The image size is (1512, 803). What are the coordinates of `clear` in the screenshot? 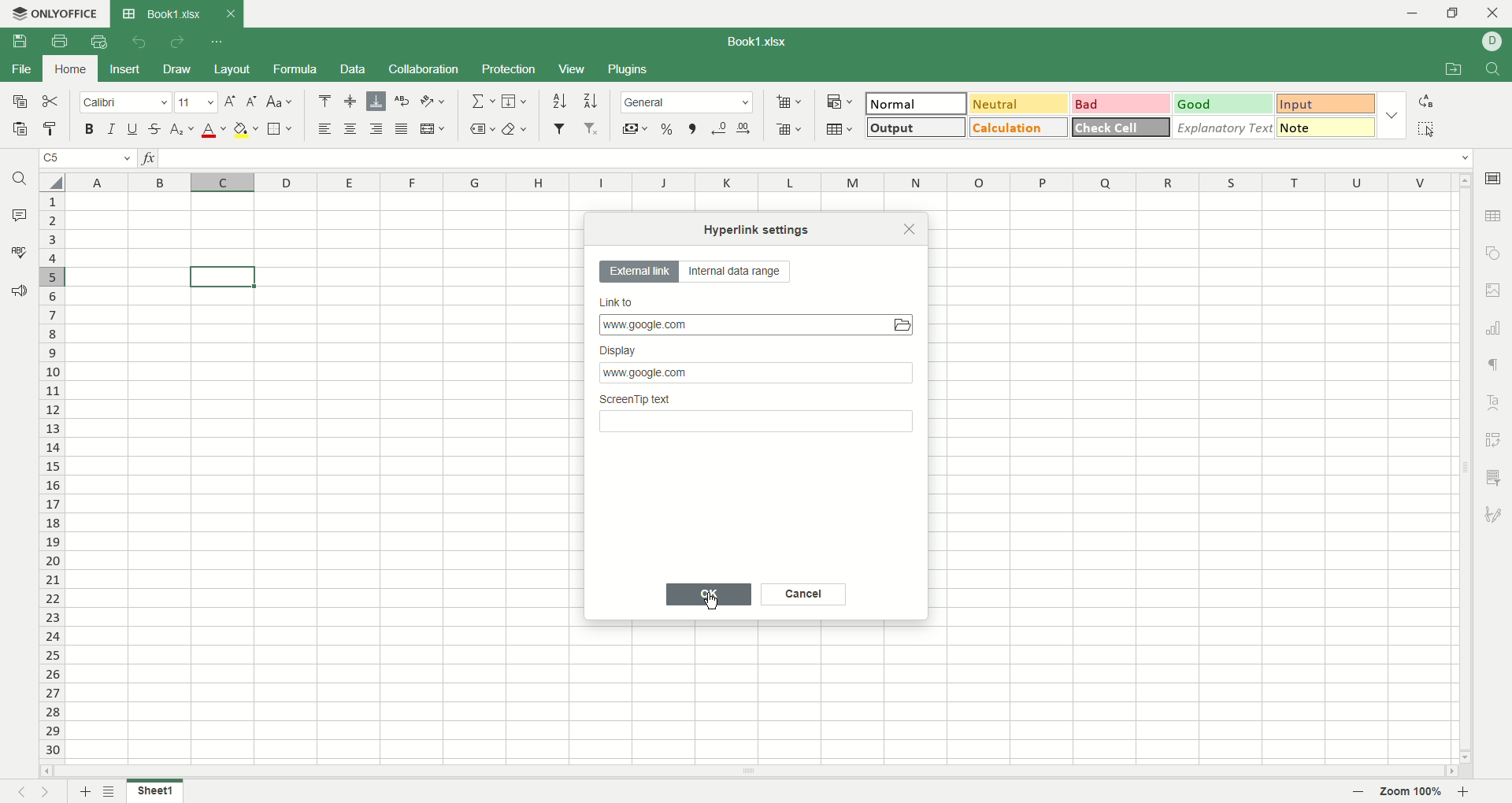 It's located at (519, 128).